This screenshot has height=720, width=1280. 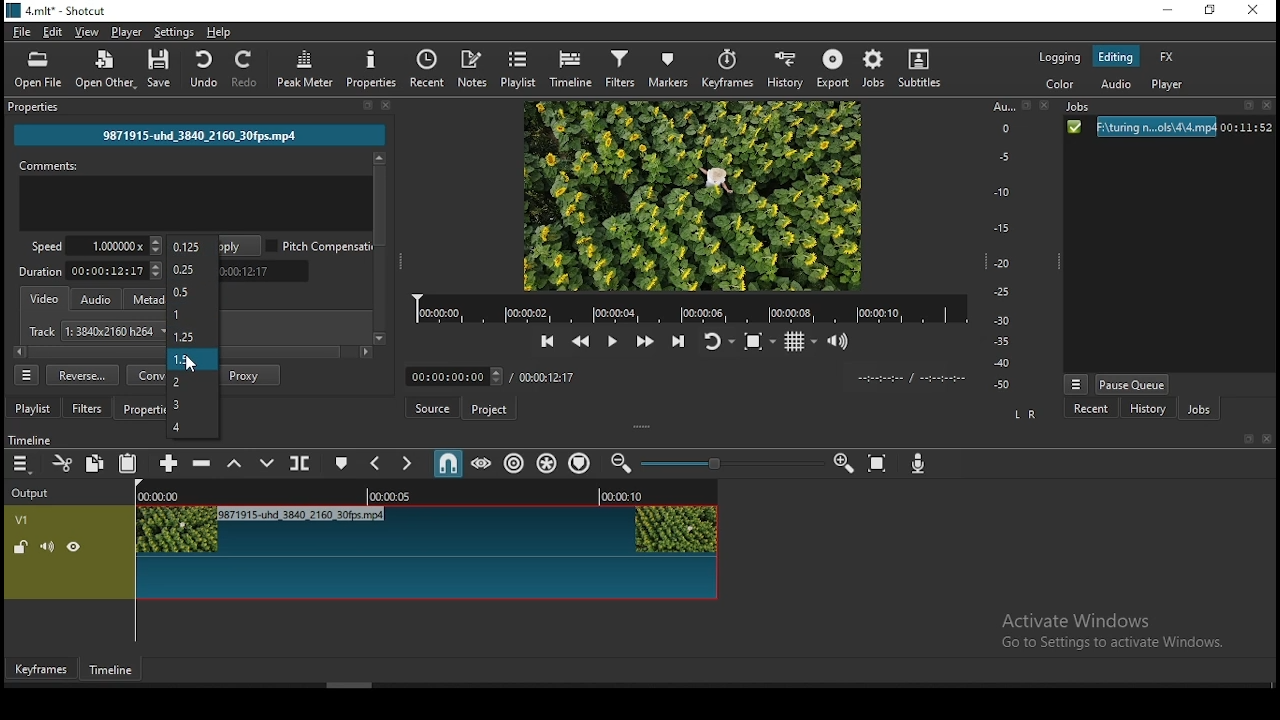 I want to click on lift, so click(x=235, y=465).